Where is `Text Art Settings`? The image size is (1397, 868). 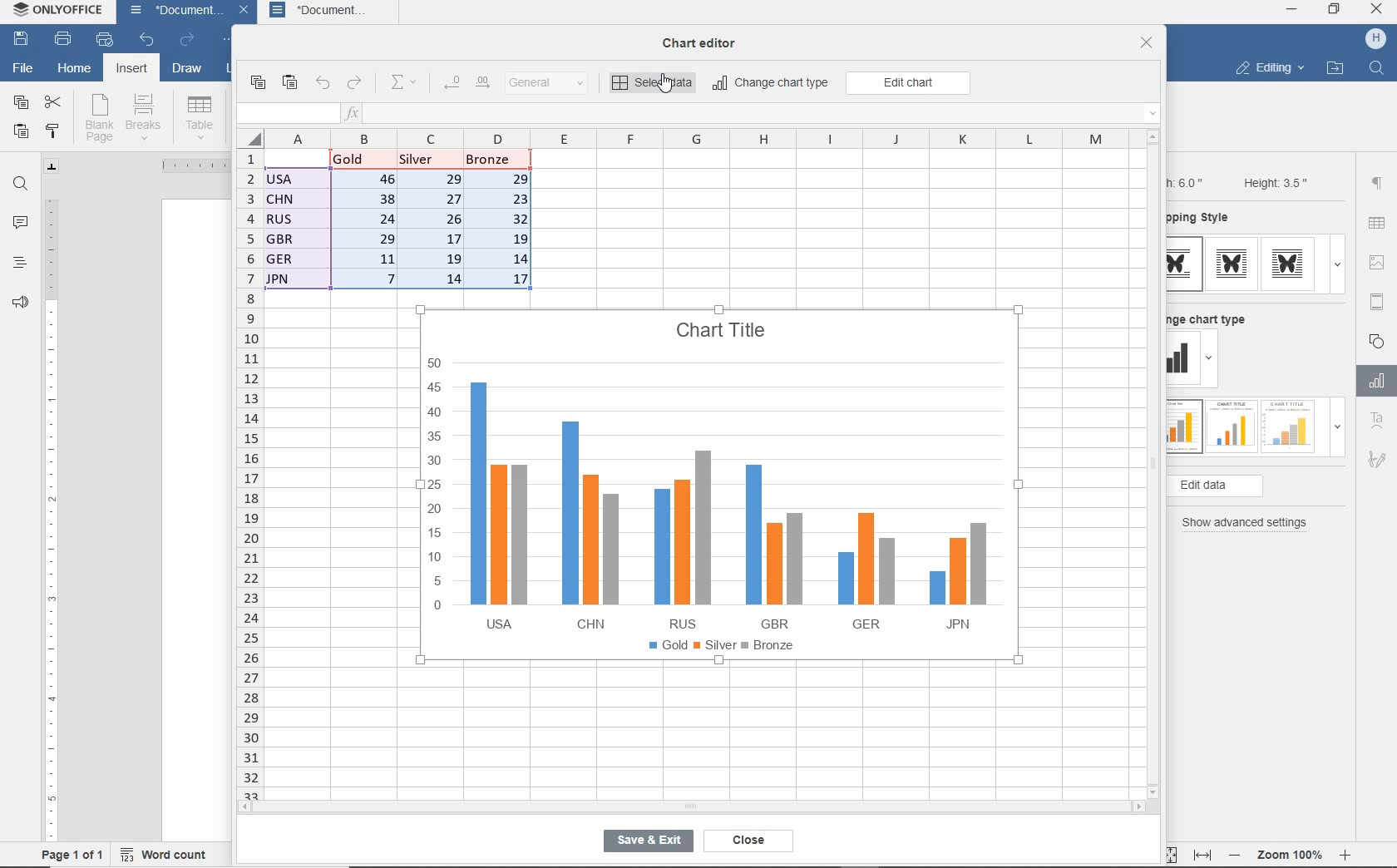 Text Art Settings is located at coordinates (1375, 422).